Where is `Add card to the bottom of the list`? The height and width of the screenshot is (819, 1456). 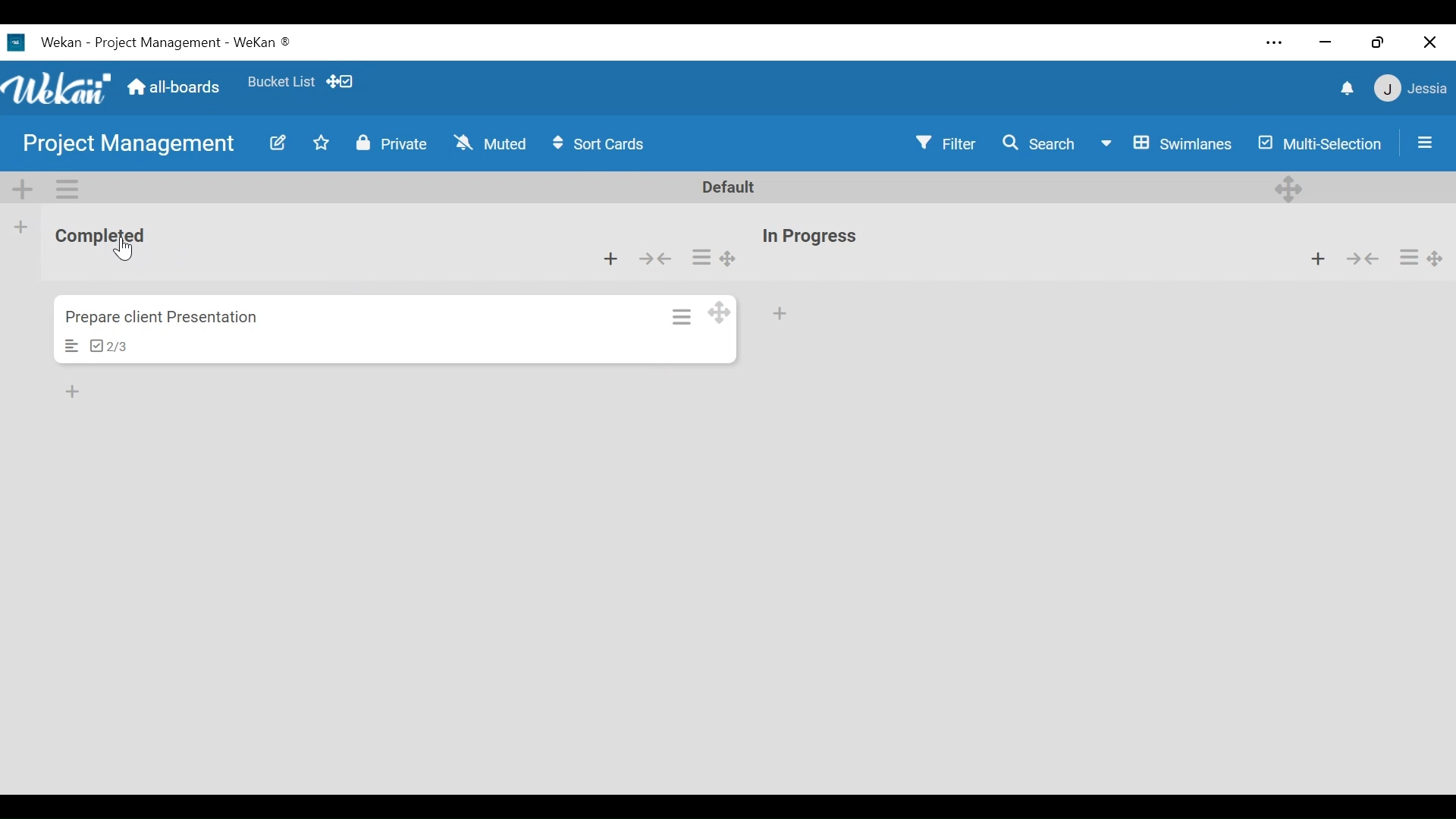
Add card to the bottom of the list is located at coordinates (783, 313).